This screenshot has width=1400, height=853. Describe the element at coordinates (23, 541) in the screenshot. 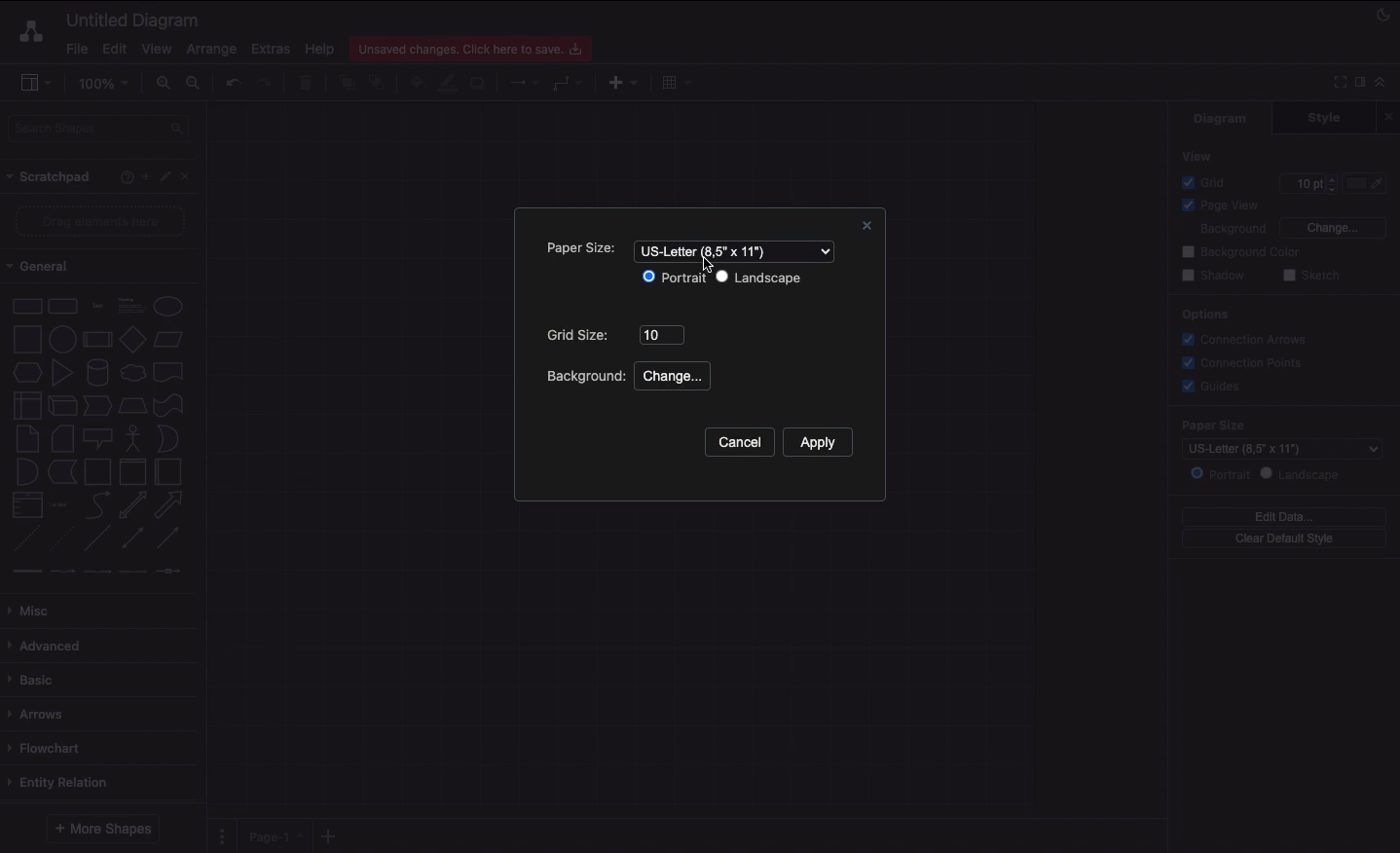

I see `Dashed line` at that location.